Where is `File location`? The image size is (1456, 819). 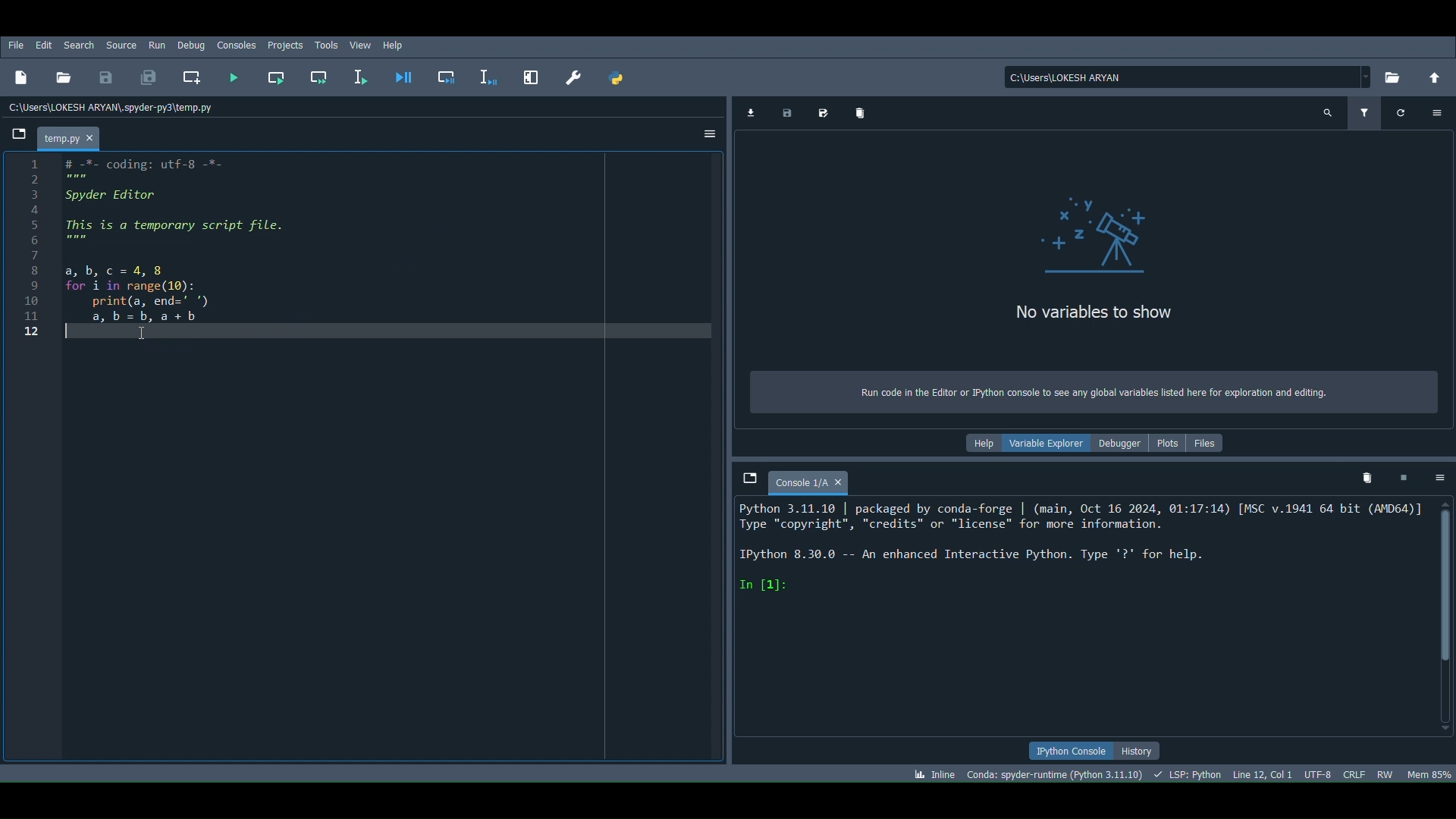 File location is located at coordinates (1188, 78).